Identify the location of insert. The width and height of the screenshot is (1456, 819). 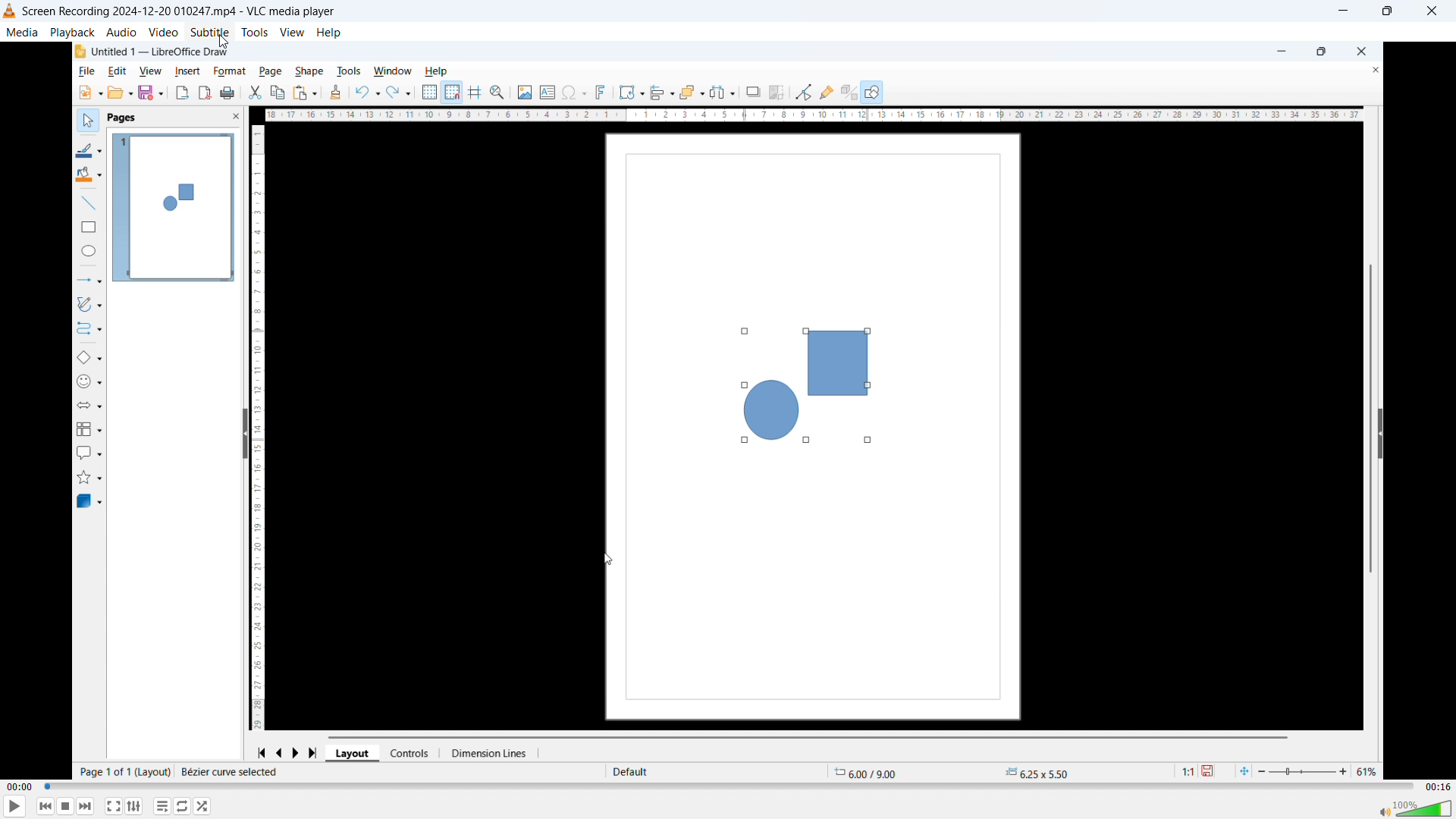
(187, 71).